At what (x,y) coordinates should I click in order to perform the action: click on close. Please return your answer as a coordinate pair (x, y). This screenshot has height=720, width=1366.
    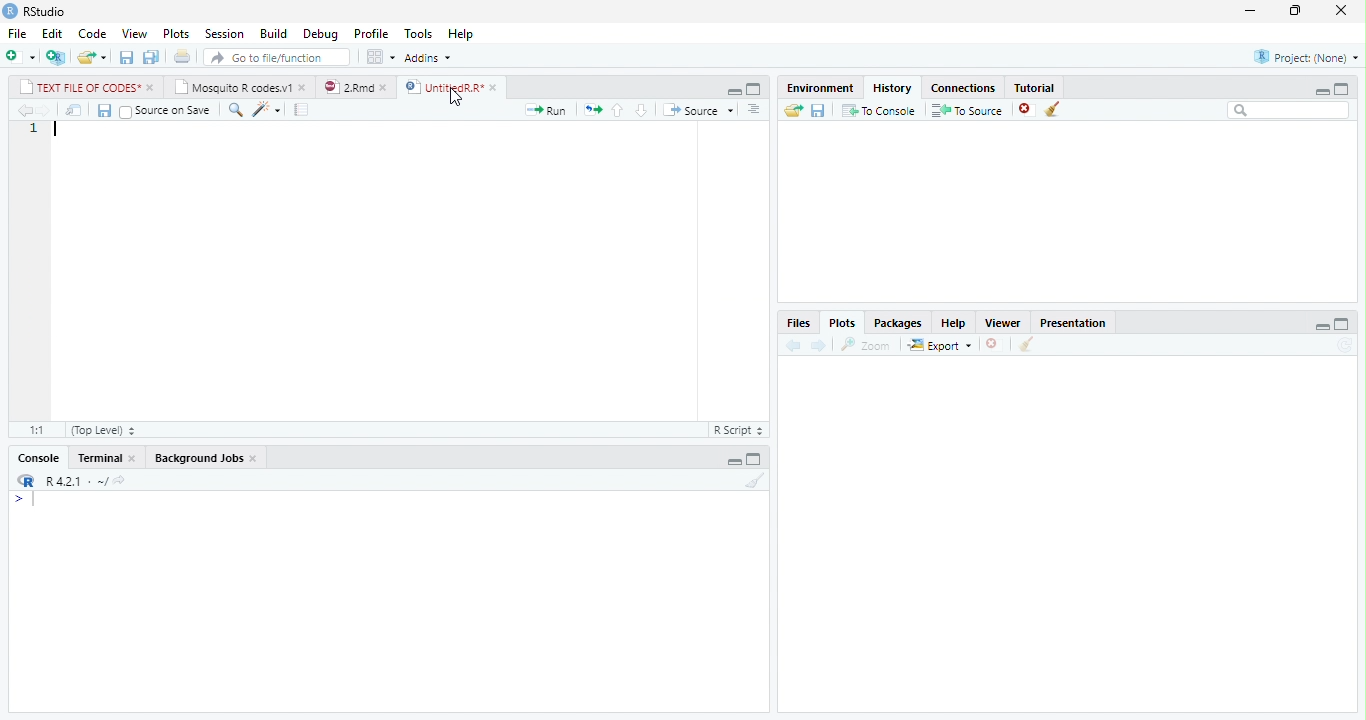
    Looking at the image, I should click on (151, 88).